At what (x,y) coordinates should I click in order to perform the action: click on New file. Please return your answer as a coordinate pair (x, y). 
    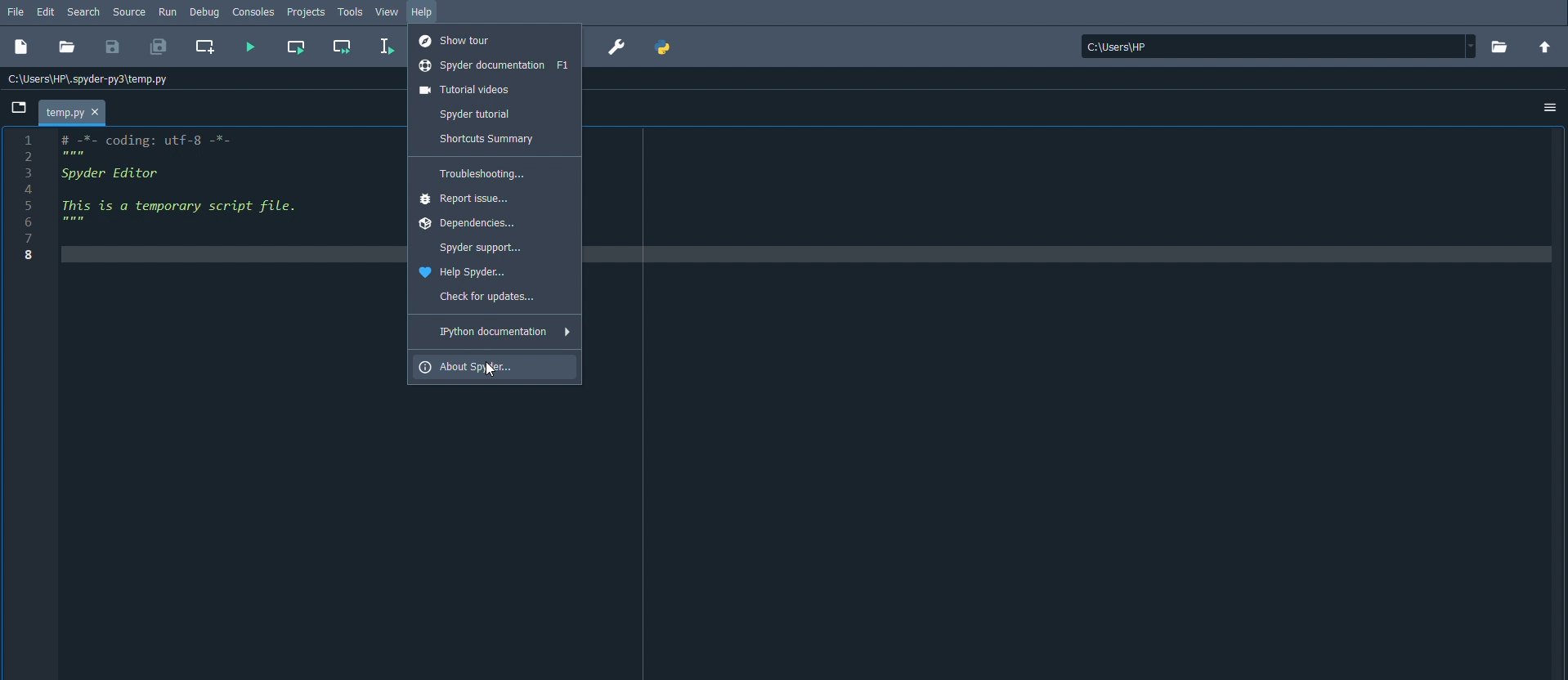
    Looking at the image, I should click on (21, 47).